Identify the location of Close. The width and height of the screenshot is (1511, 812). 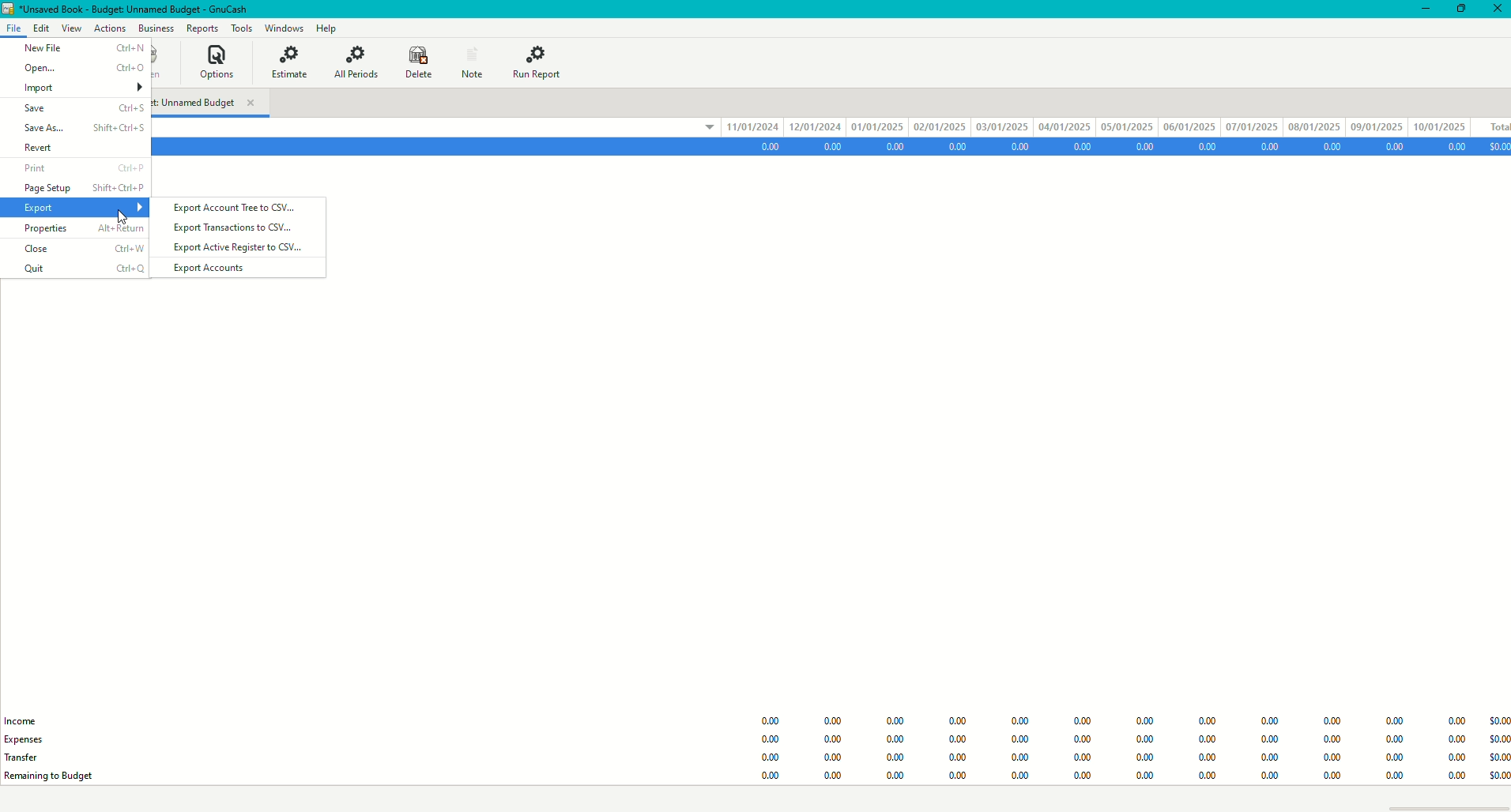
(1497, 10).